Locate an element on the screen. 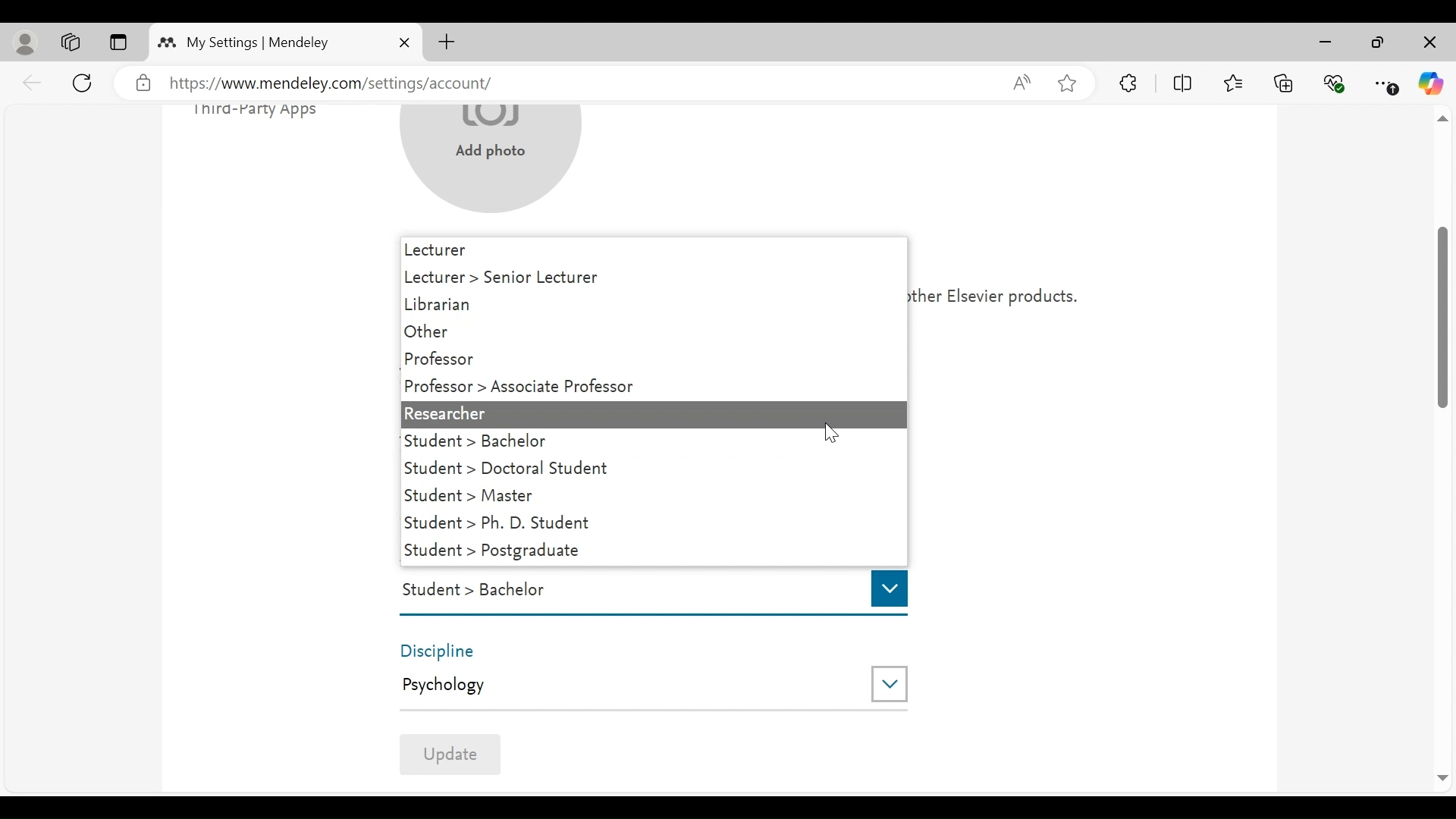 The image size is (1456, 819). Student > Postgraduate is located at coordinates (651, 551).